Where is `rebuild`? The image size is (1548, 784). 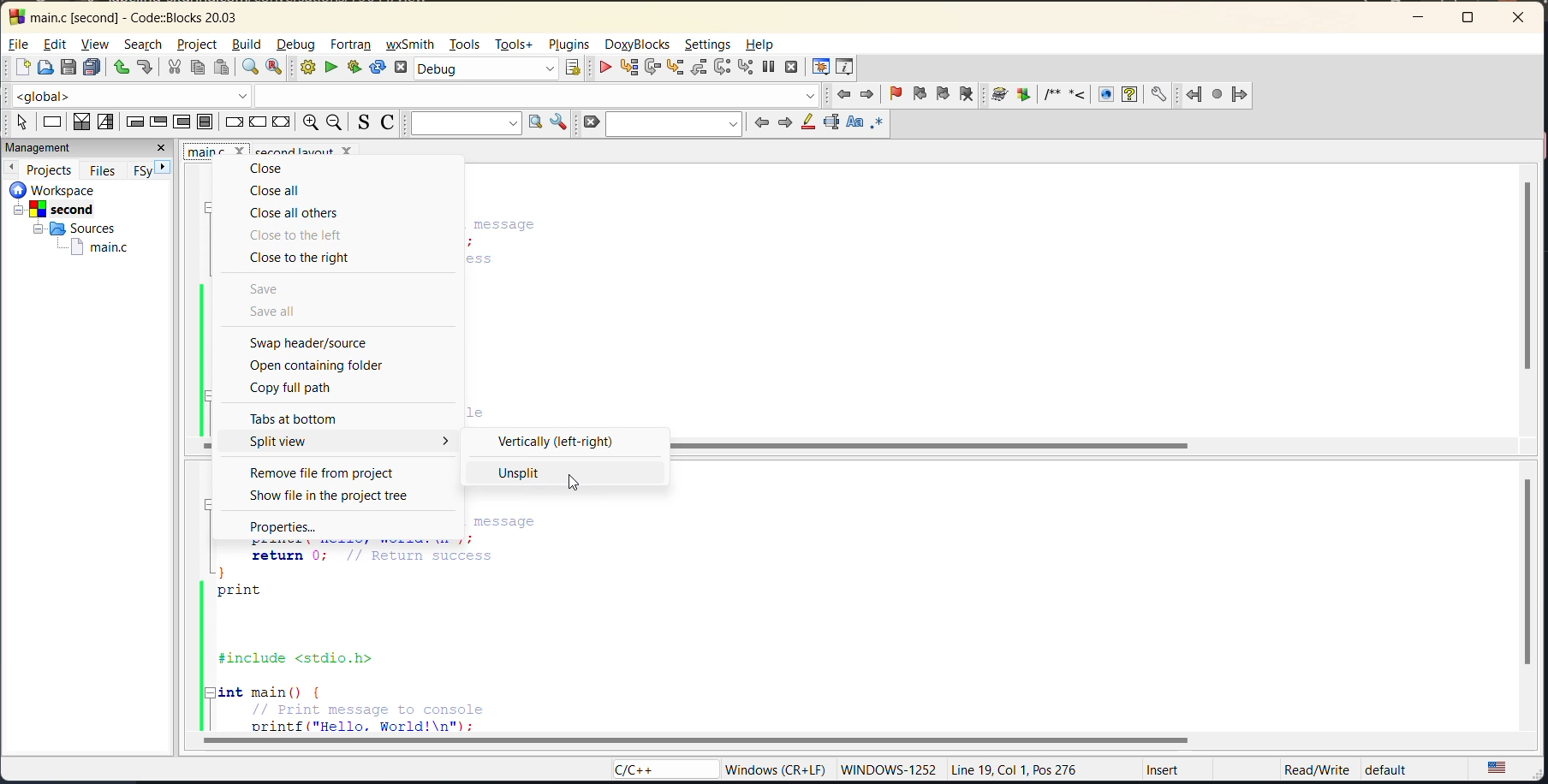 rebuild is located at coordinates (378, 68).